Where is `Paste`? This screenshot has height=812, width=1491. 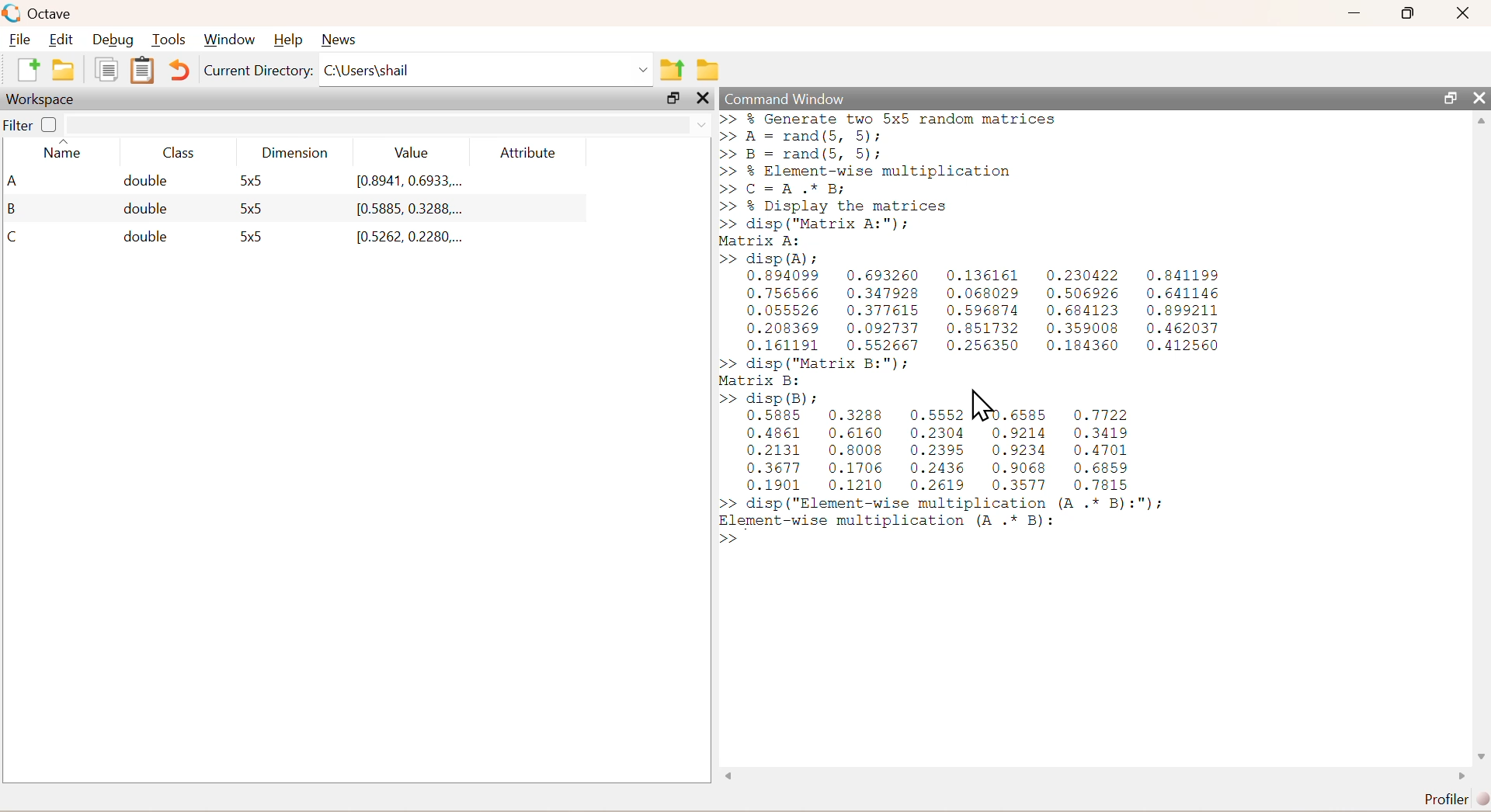
Paste is located at coordinates (140, 70).